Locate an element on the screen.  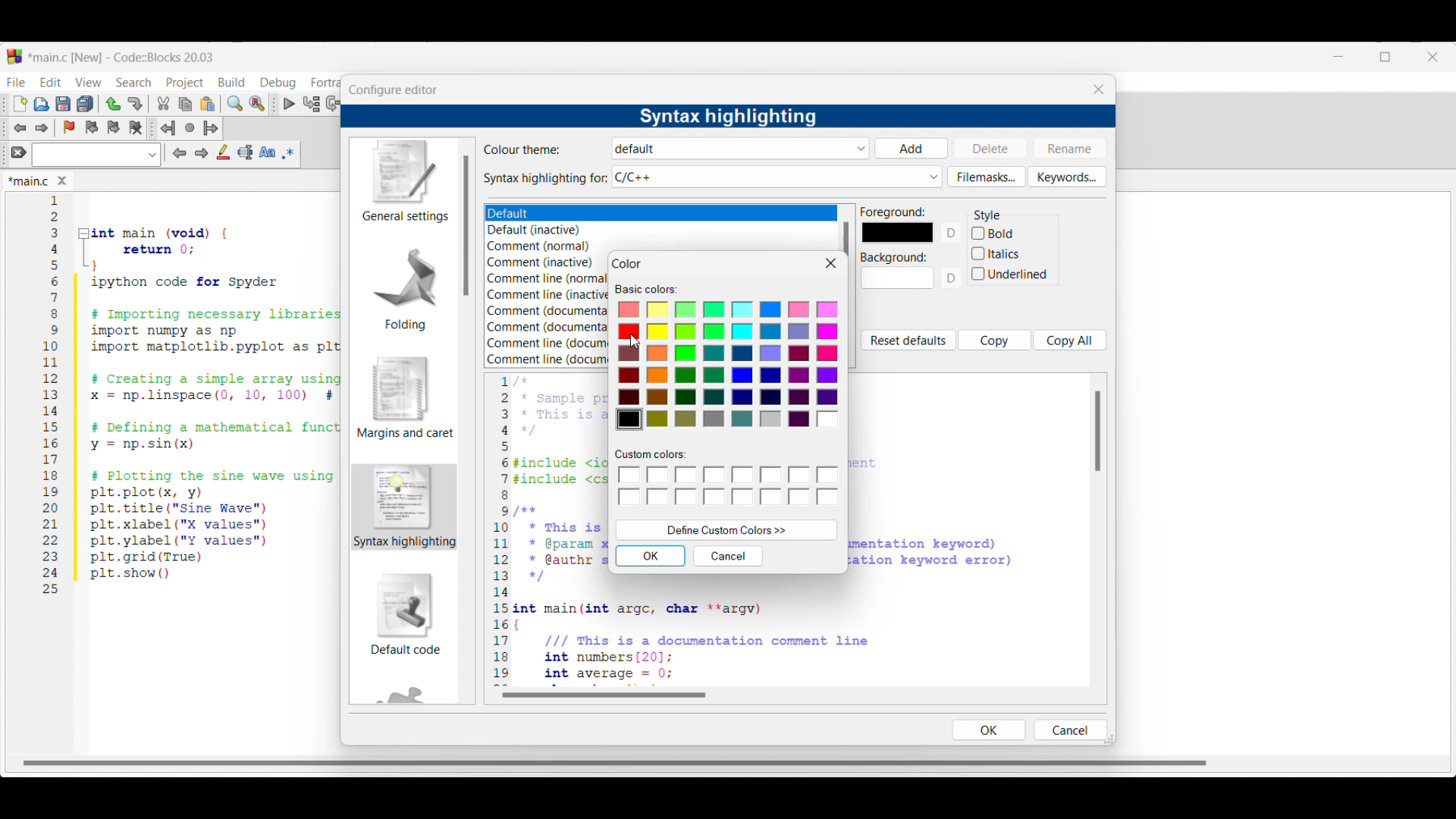
New file is located at coordinates (20, 104).